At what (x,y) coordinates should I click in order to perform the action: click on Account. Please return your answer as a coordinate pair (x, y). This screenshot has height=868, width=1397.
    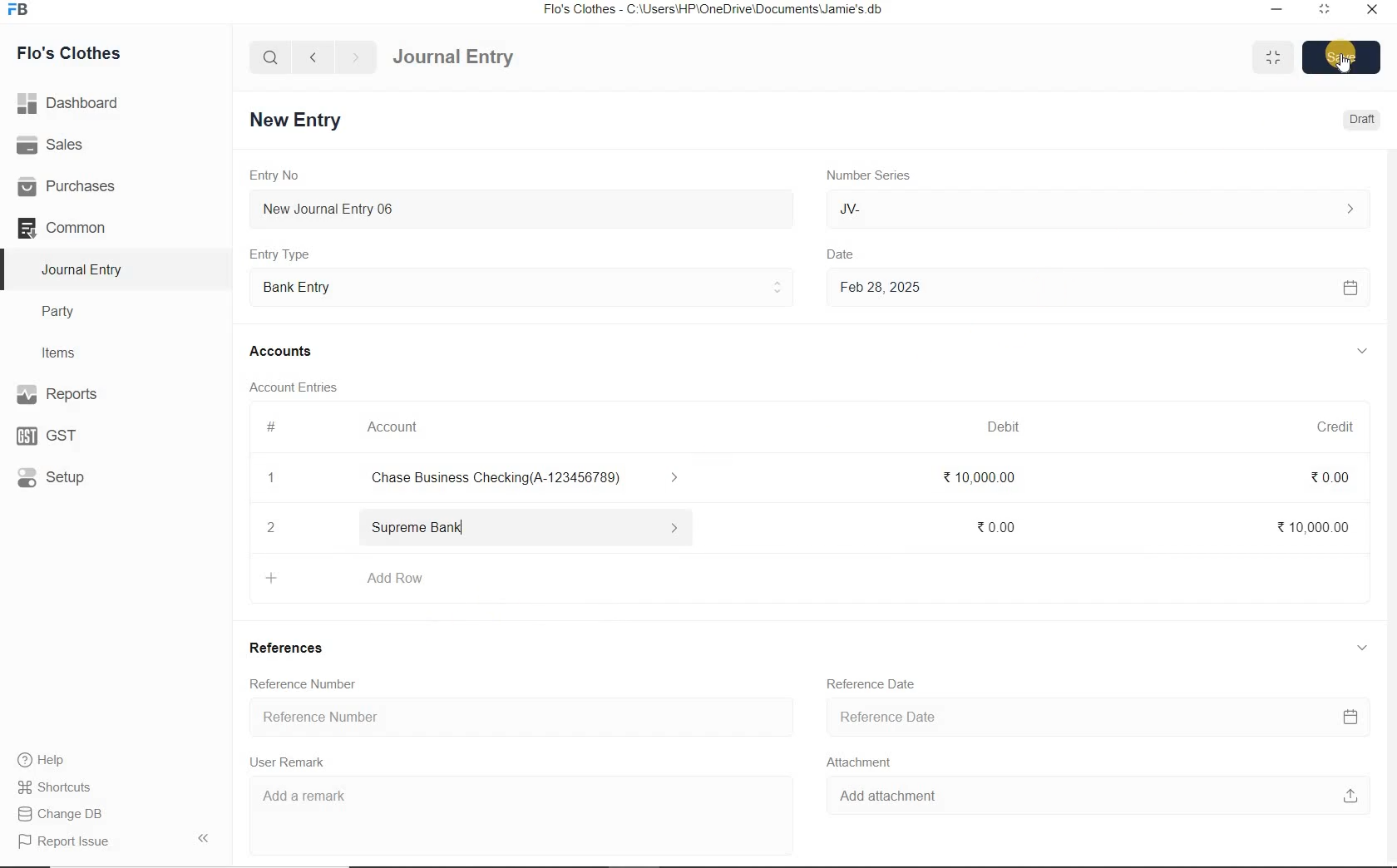
    Looking at the image, I should click on (398, 427).